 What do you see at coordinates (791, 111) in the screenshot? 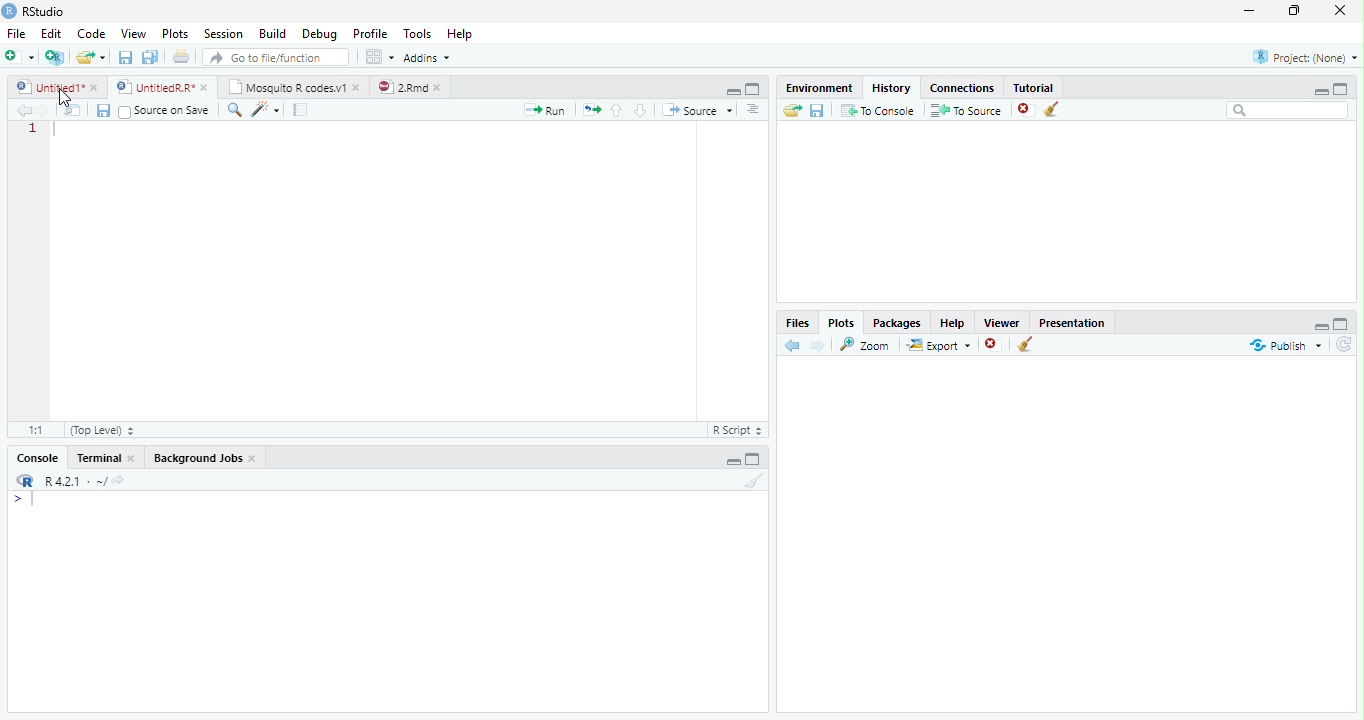
I see `Load history from an existing file` at bounding box center [791, 111].